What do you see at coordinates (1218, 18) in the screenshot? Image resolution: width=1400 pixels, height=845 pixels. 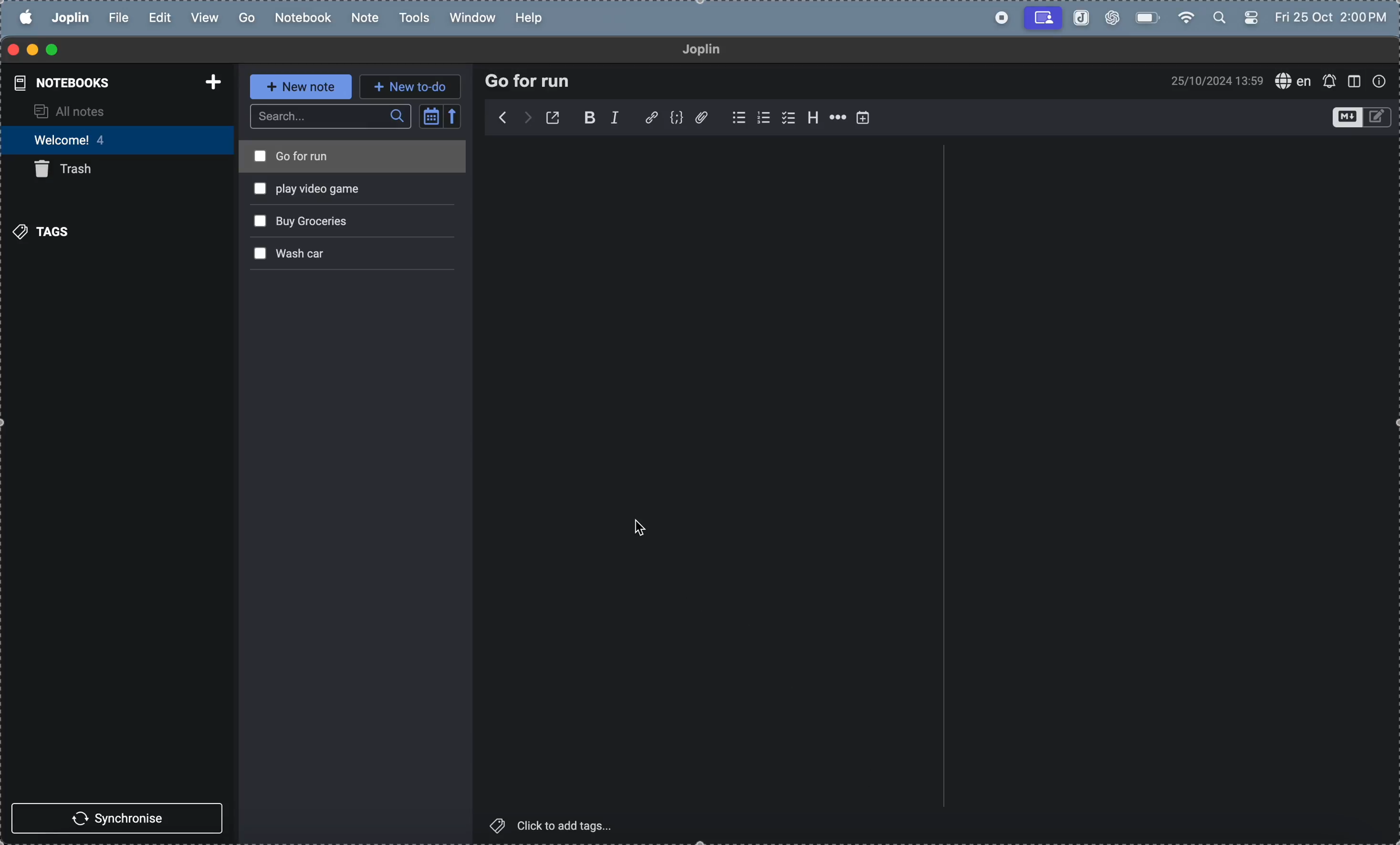 I see `apple widgets` at bounding box center [1218, 18].